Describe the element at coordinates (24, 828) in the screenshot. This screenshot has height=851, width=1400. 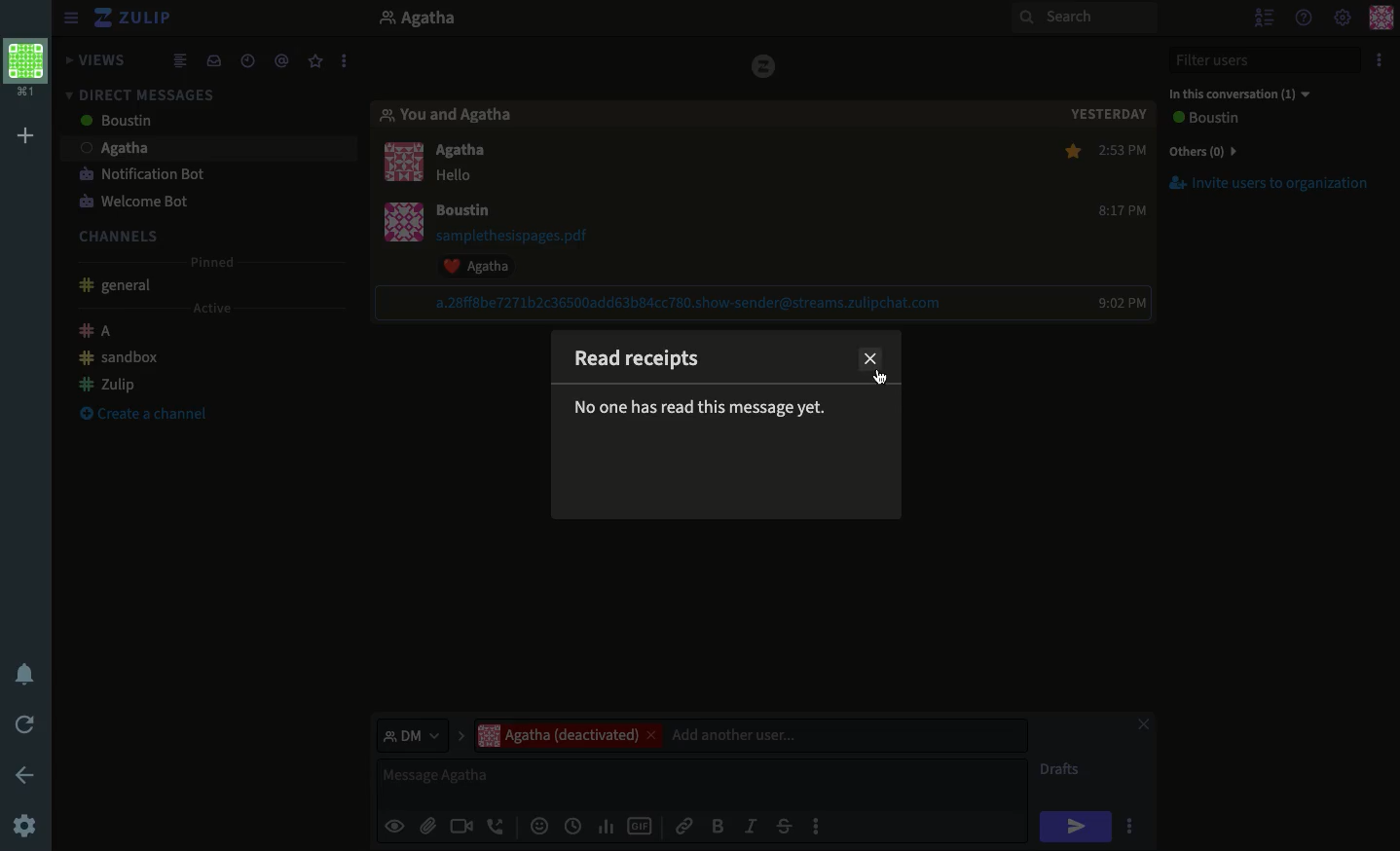
I see `Settings` at that location.